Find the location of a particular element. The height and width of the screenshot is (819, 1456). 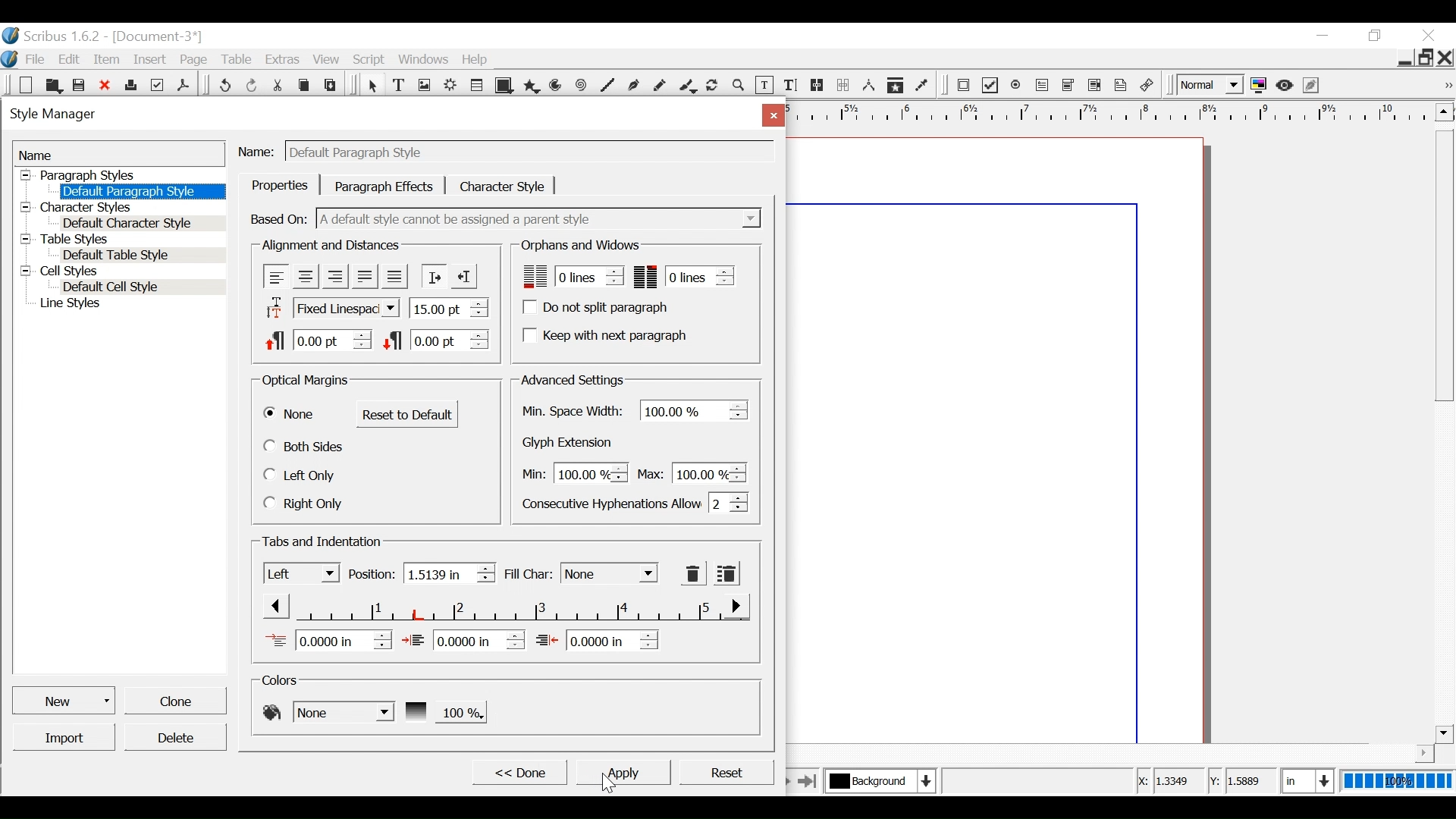

Page is located at coordinates (194, 60).